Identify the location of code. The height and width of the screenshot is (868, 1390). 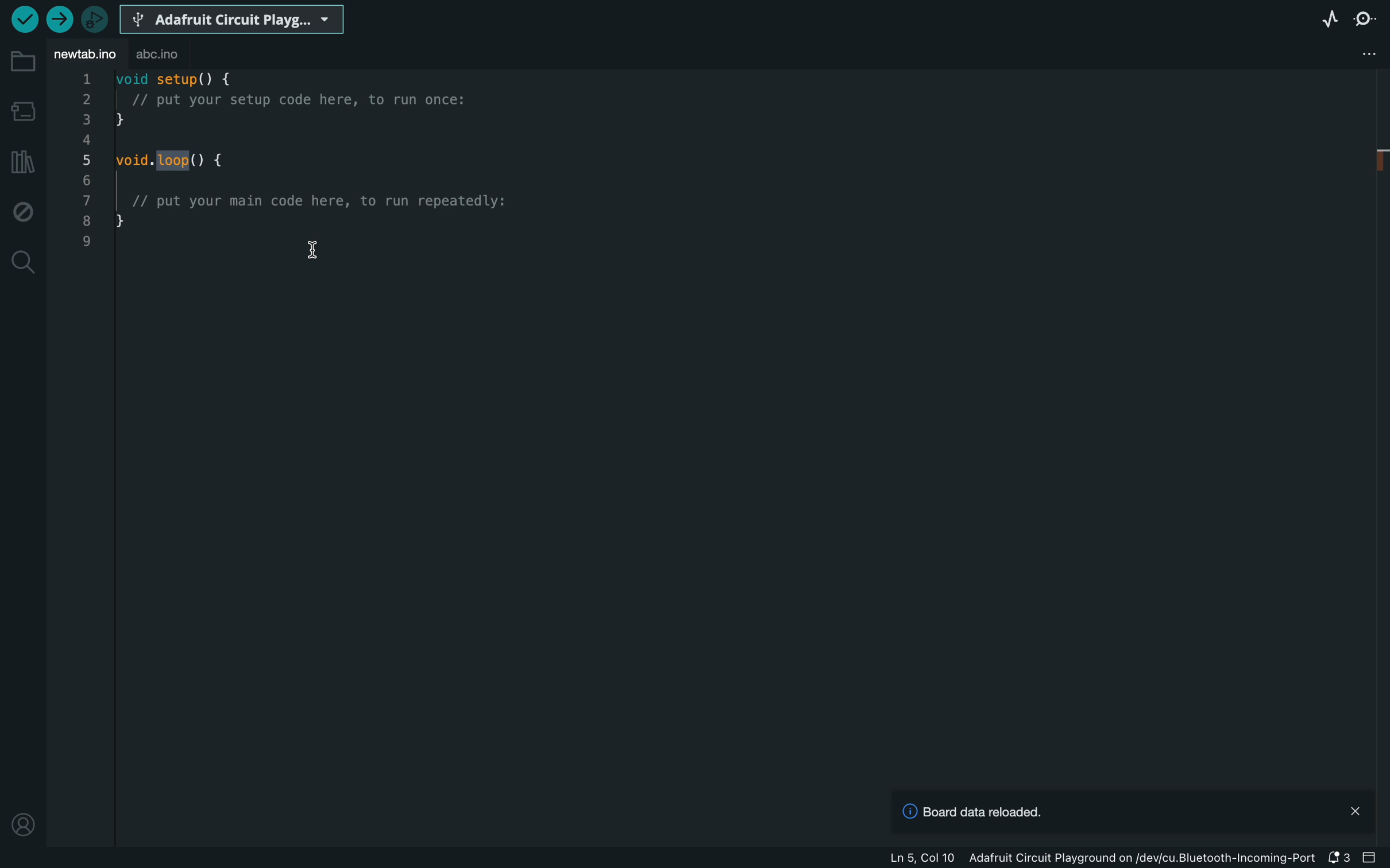
(330, 150).